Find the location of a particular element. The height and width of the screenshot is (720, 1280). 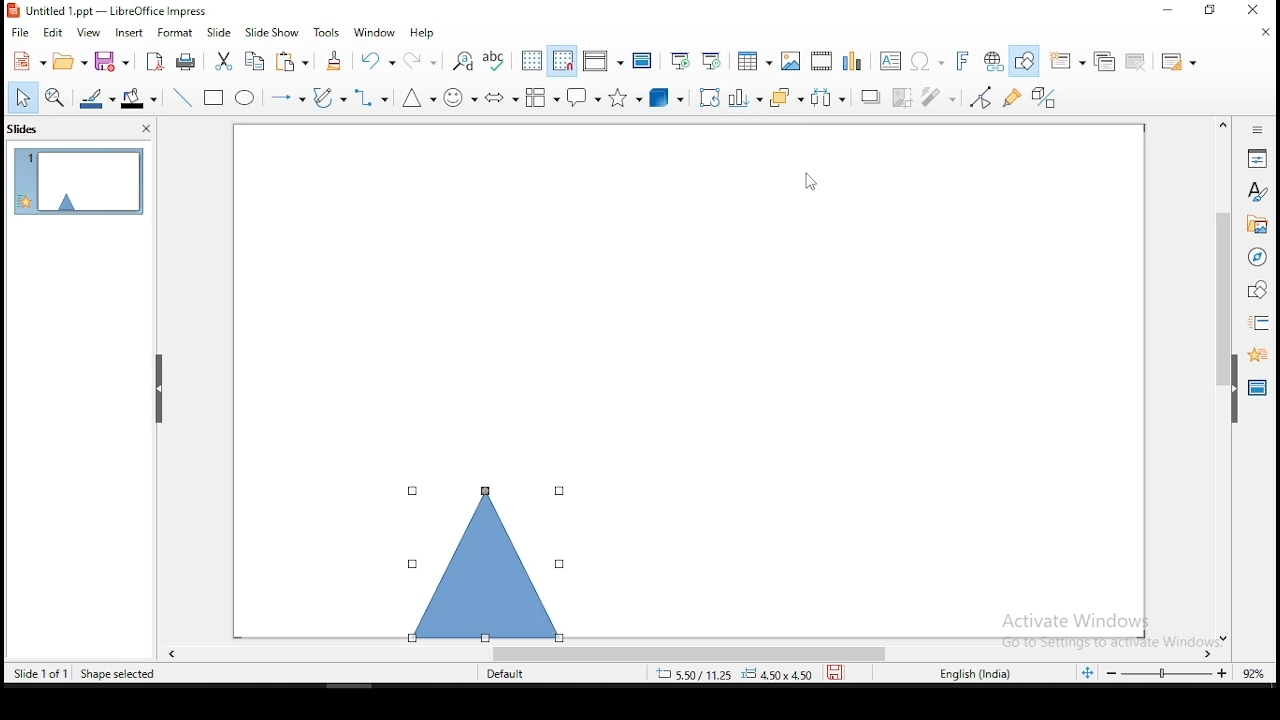

show gluepoint functions is located at coordinates (1014, 99).